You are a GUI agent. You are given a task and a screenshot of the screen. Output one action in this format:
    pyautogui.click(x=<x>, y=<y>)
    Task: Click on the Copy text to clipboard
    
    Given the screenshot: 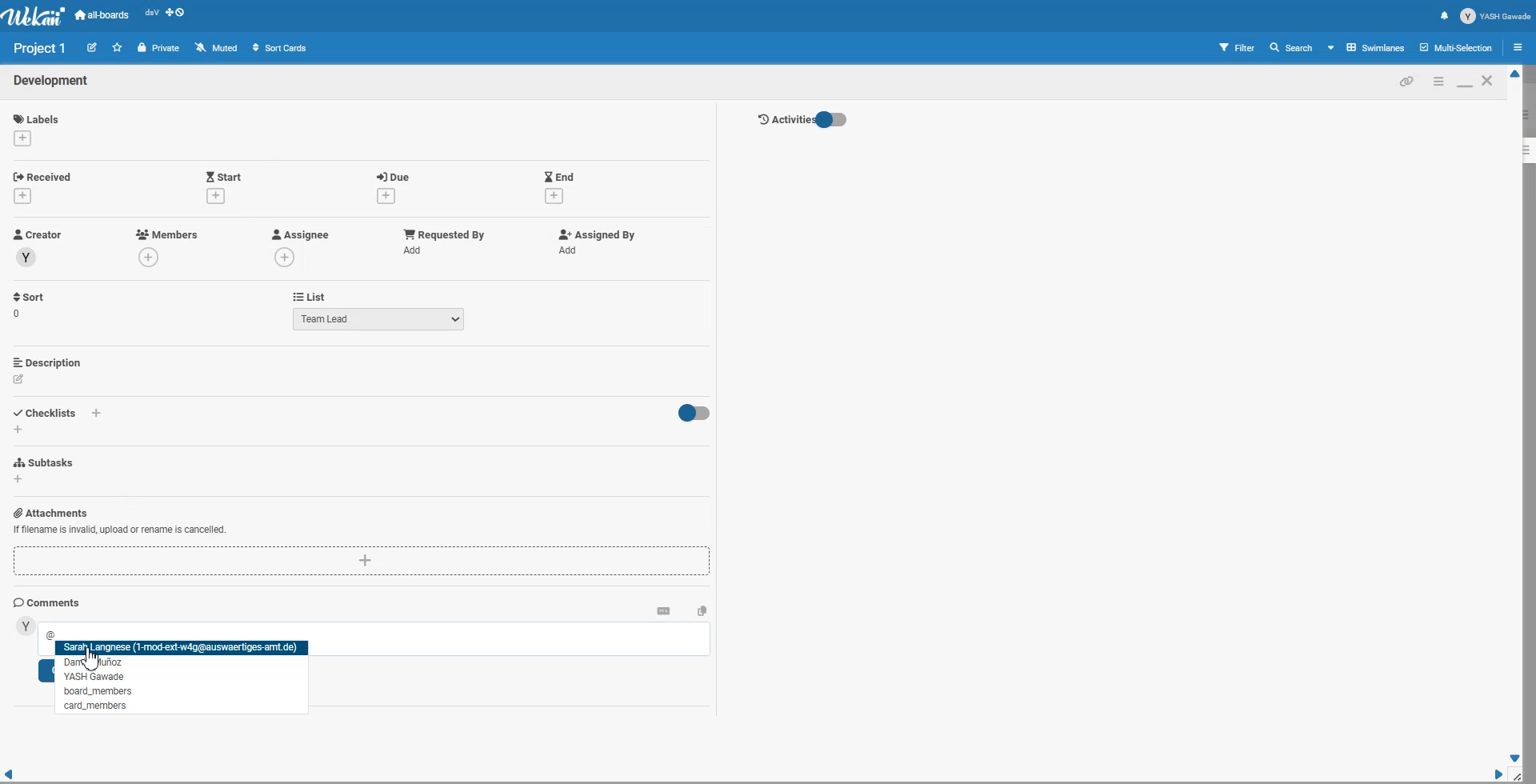 What is the action you would take?
    pyautogui.click(x=702, y=610)
    